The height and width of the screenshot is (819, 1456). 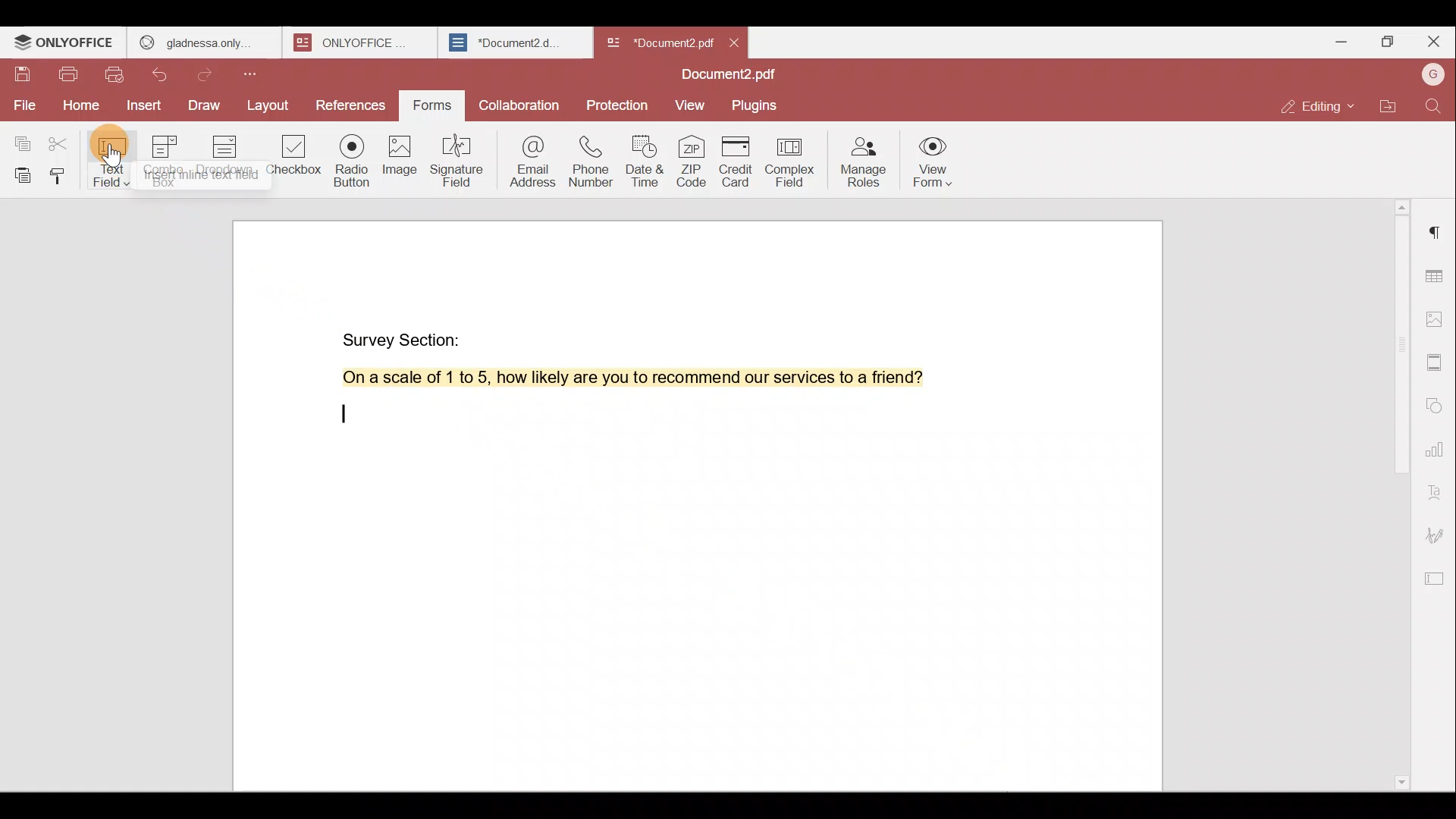 I want to click on Protection, so click(x=620, y=101).